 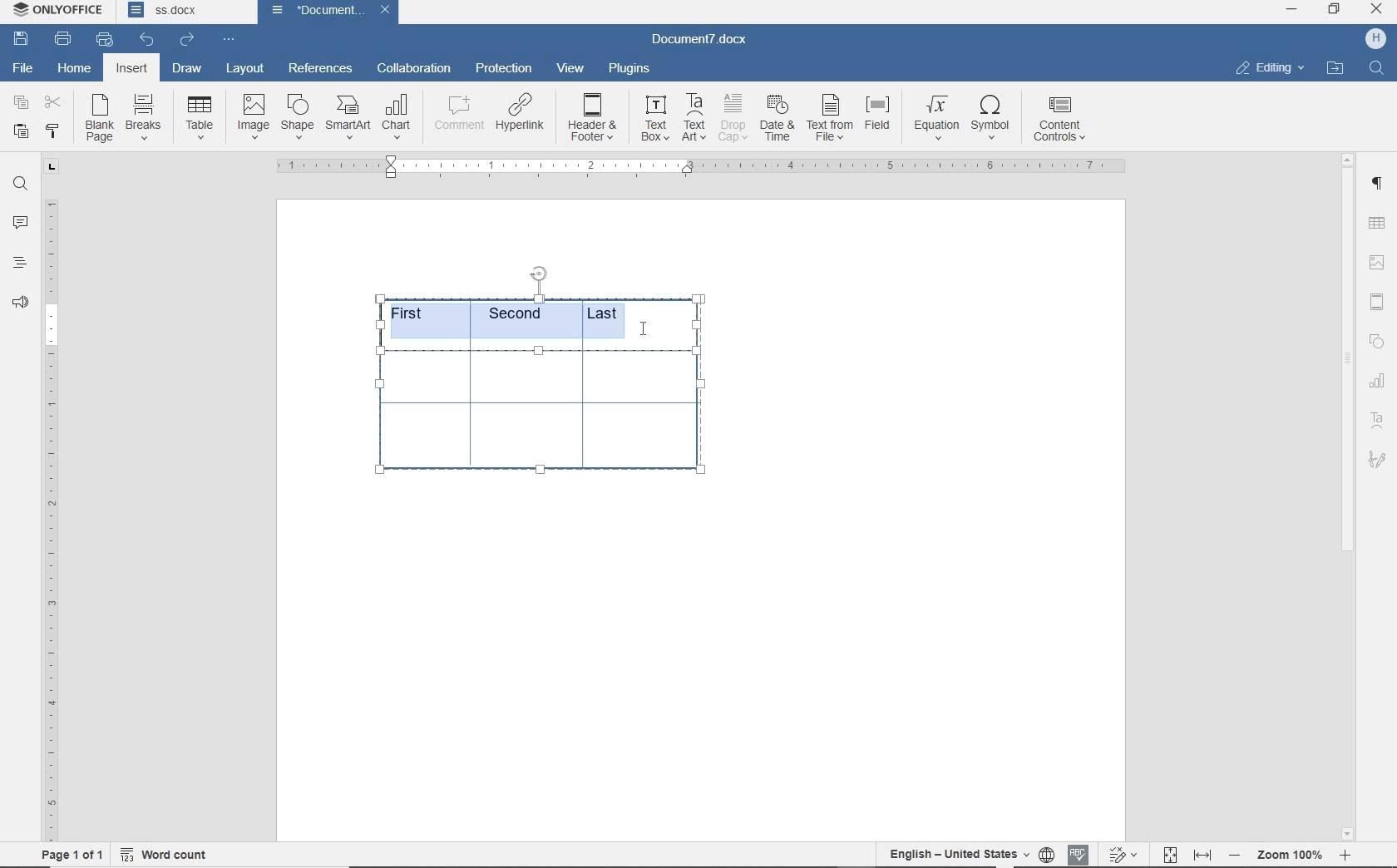 What do you see at coordinates (59, 11) in the screenshot?
I see `system name` at bounding box center [59, 11].